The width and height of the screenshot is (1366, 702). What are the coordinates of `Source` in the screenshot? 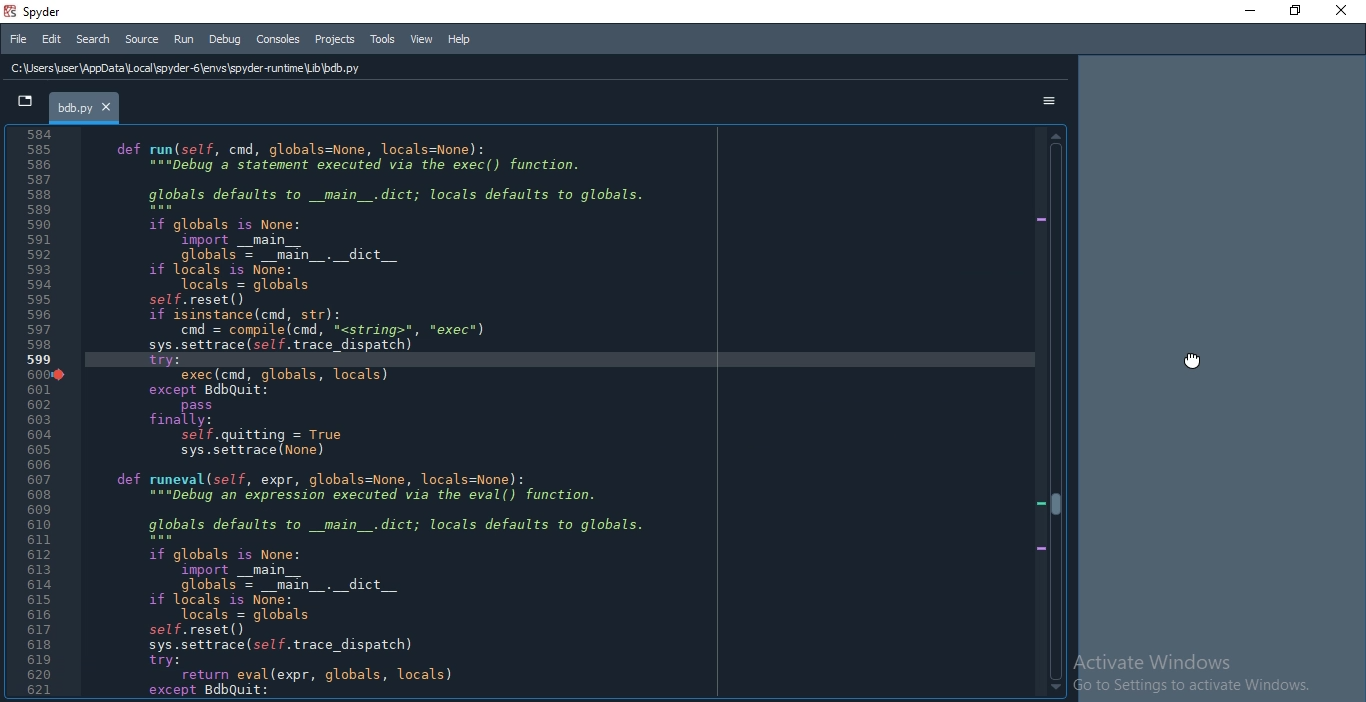 It's located at (144, 40).